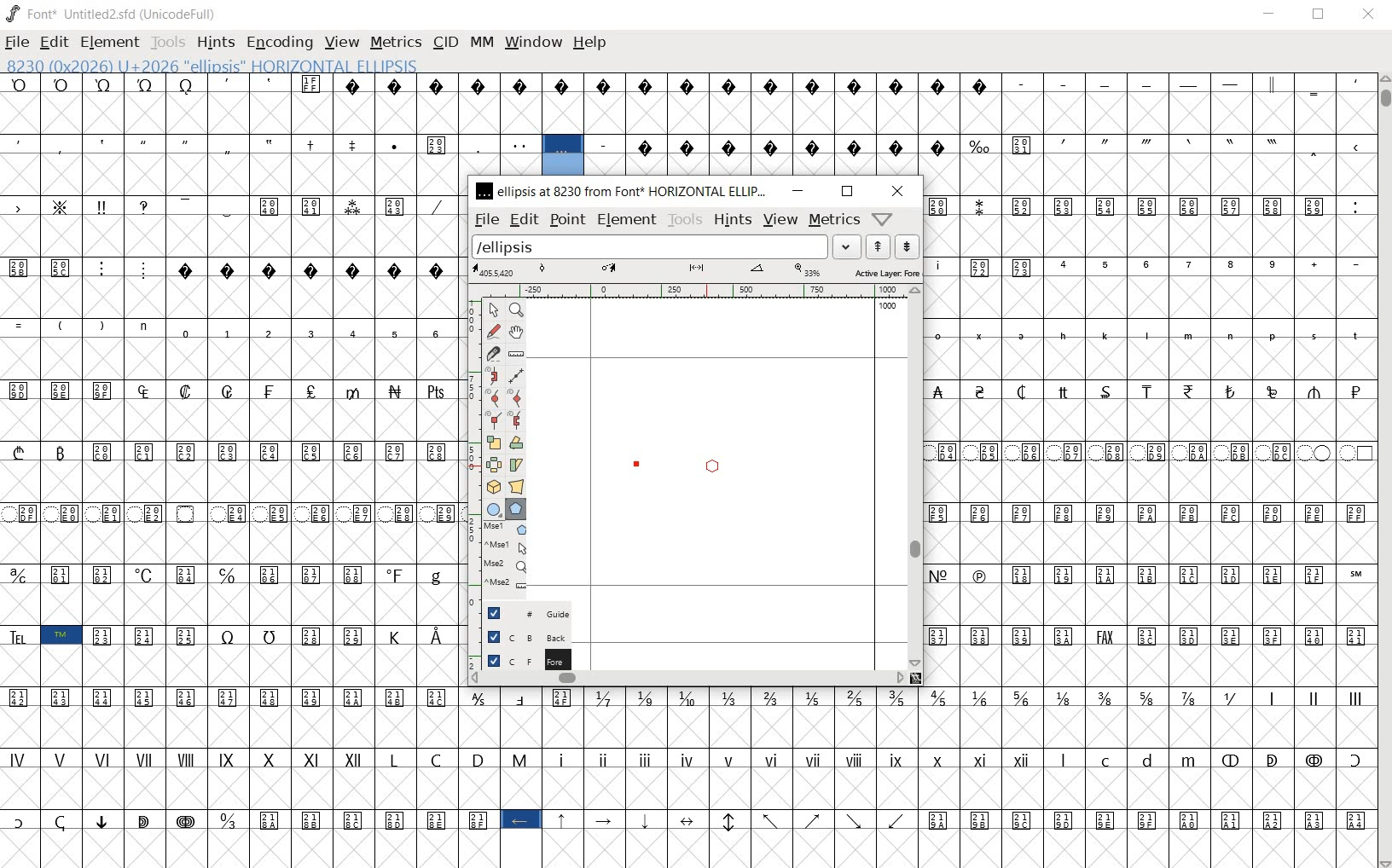 The height and width of the screenshot is (868, 1392). Describe the element at coordinates (516, 310) in the screenshot. I see `MAGNIFY` at that location.